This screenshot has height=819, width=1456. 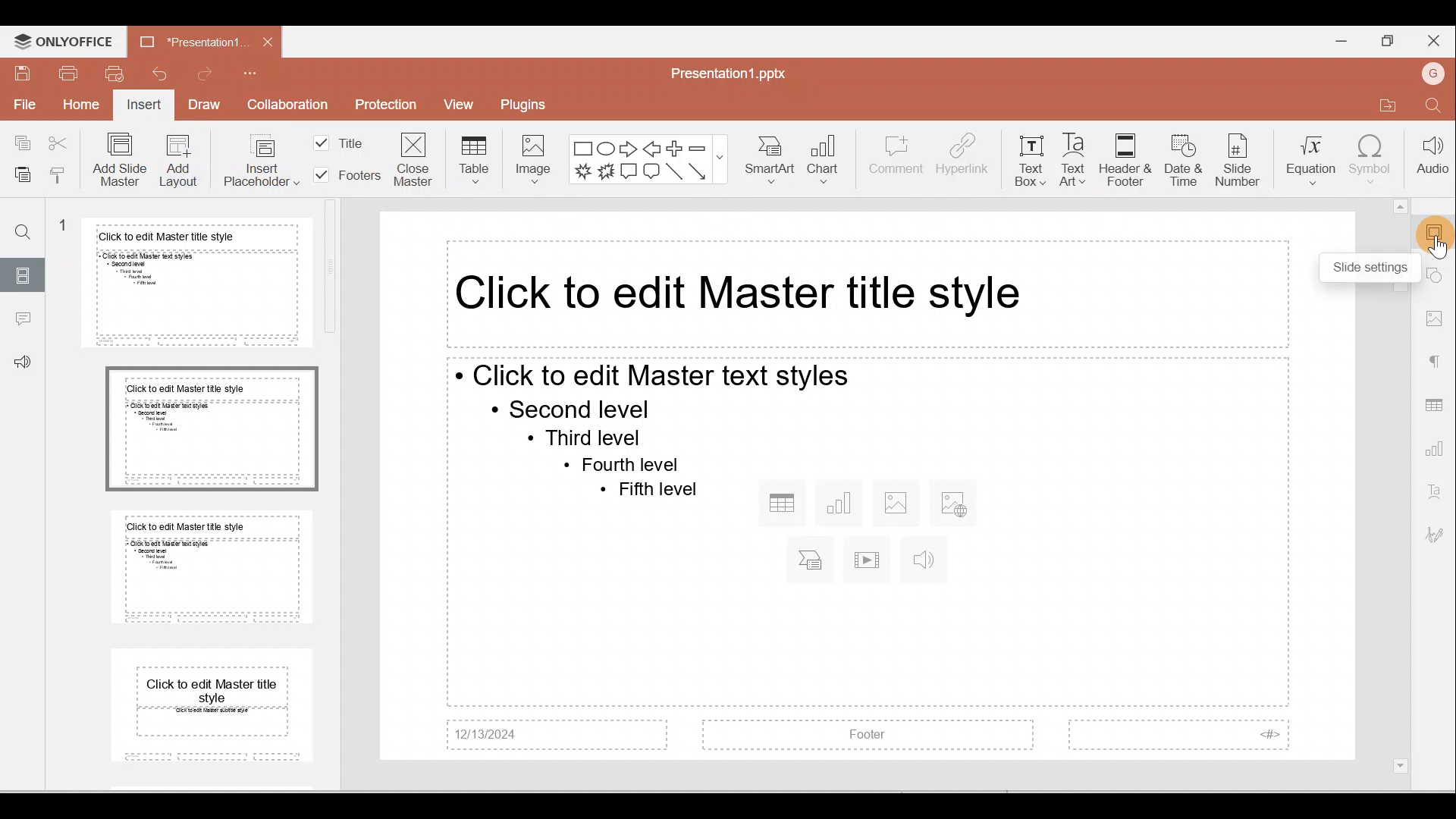 I want to click on Close master, so click(x=413, y=162).